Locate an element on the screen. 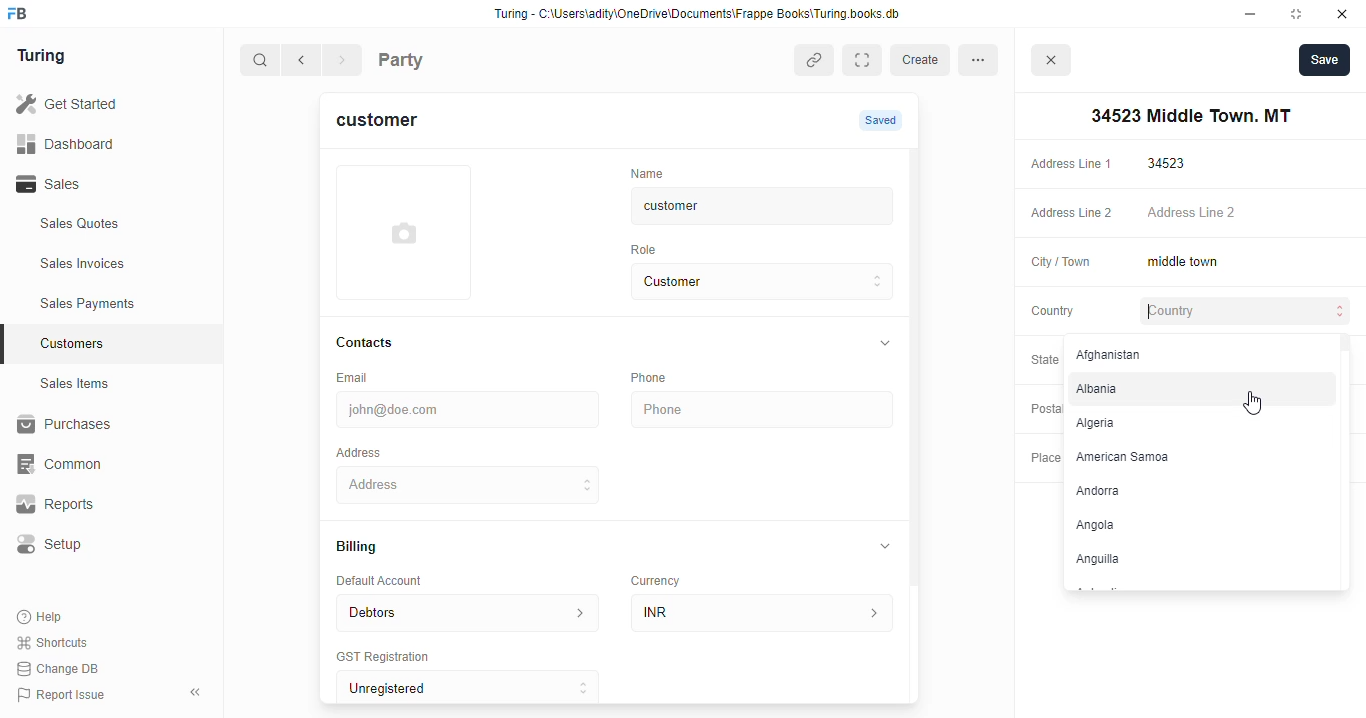 Image resolution: width=1366 pixels, height=718 pixels. close is located at coordinates (1345, 14).